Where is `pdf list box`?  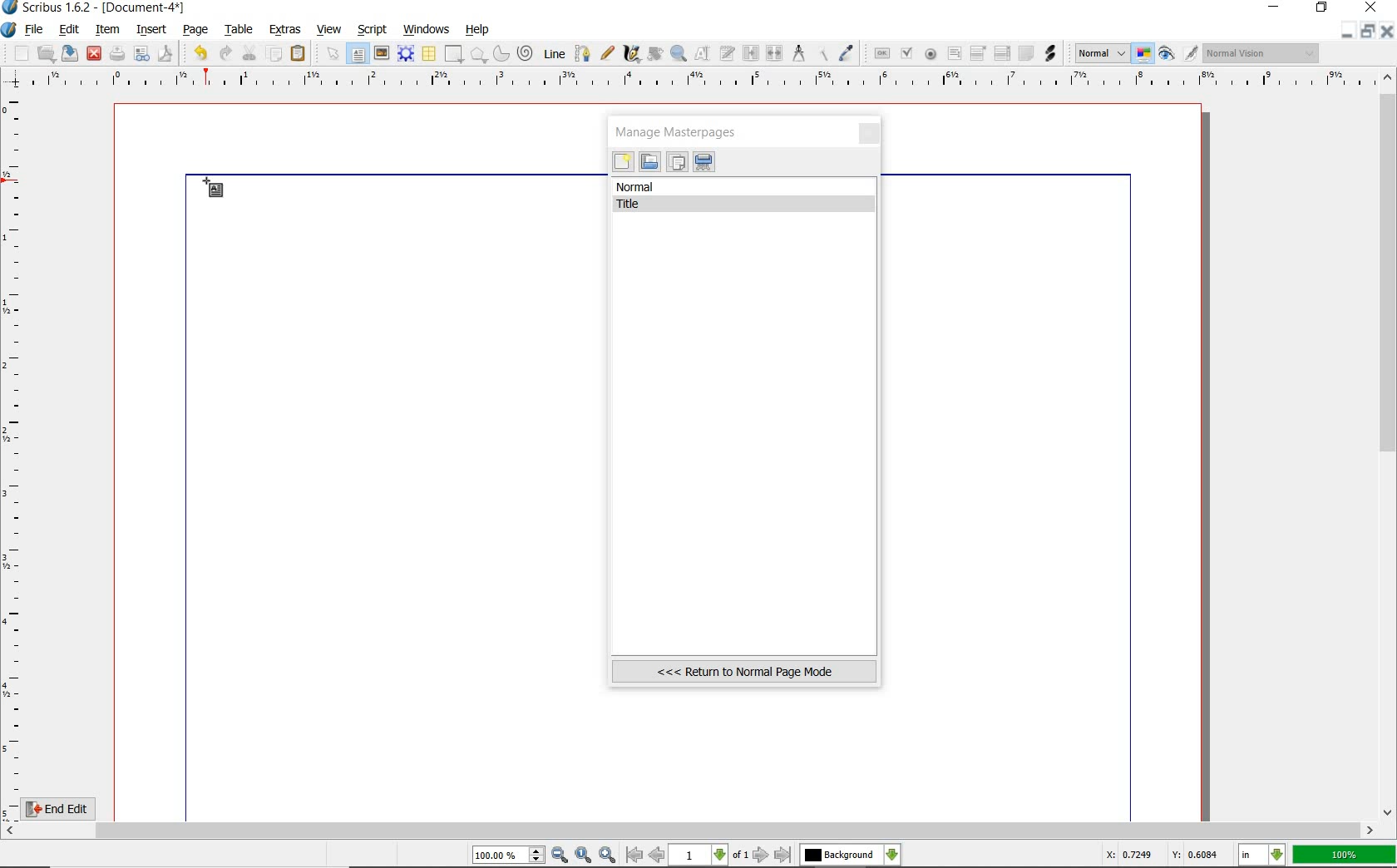 pdf list box is located at coordinates (1001, 55).